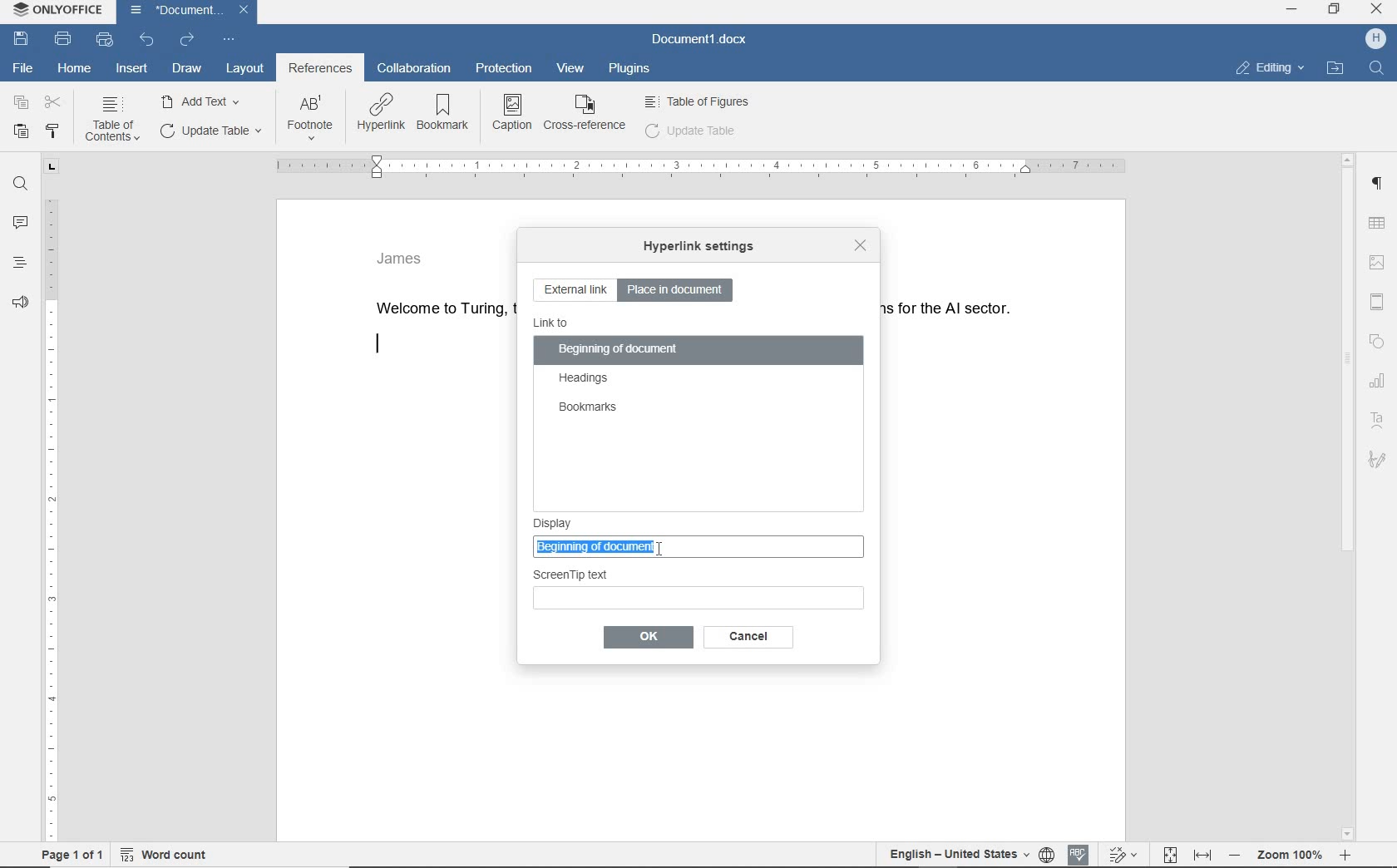 Image resolution: width=1397 pixels, height=868 pixels. Describe the element at coordinates (22, 102) in the screenshot. I see `copy` at that location.